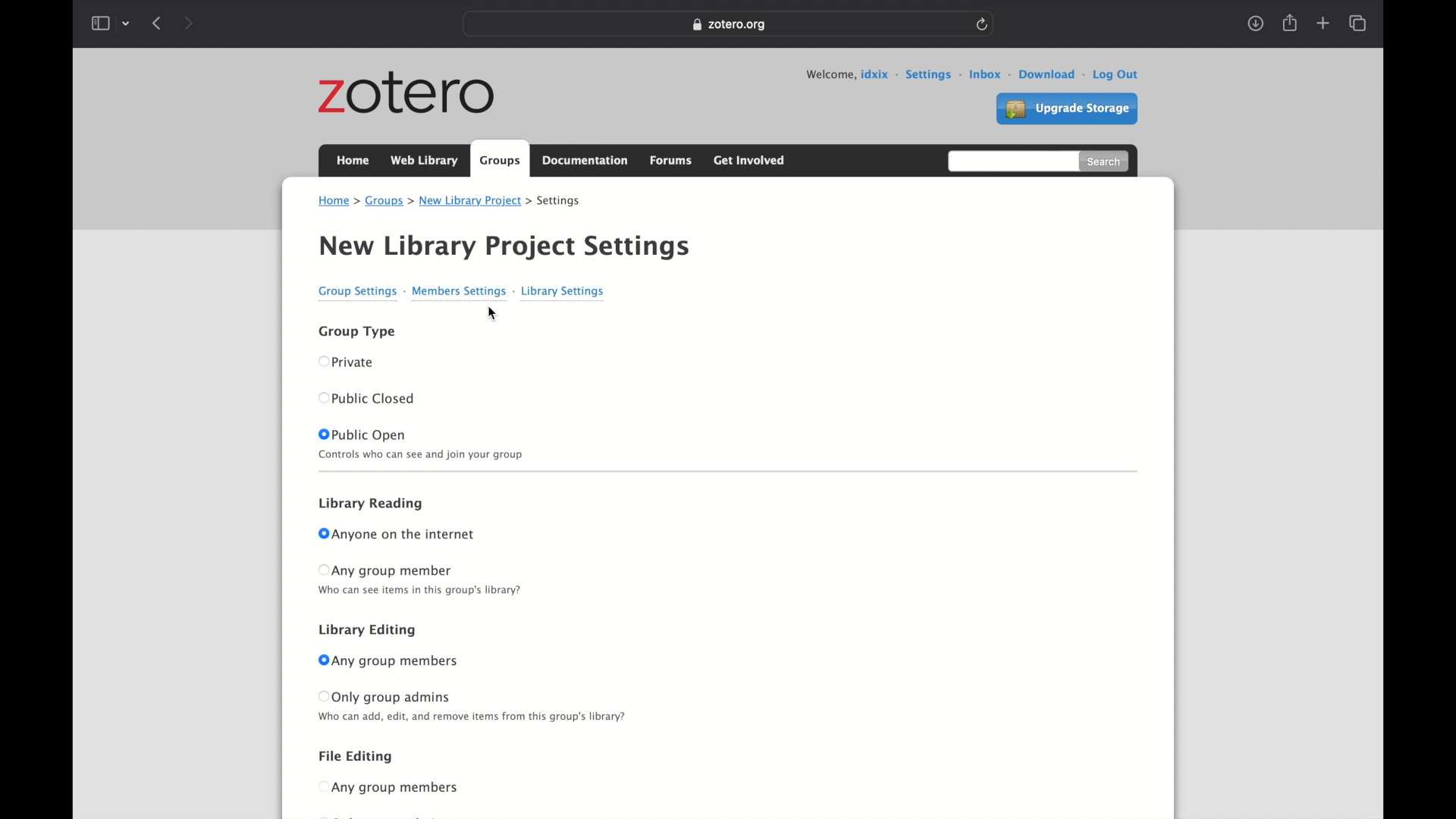 This screenshot has width=1456, height=819. I want to click on private radio button, so click(358, 362).